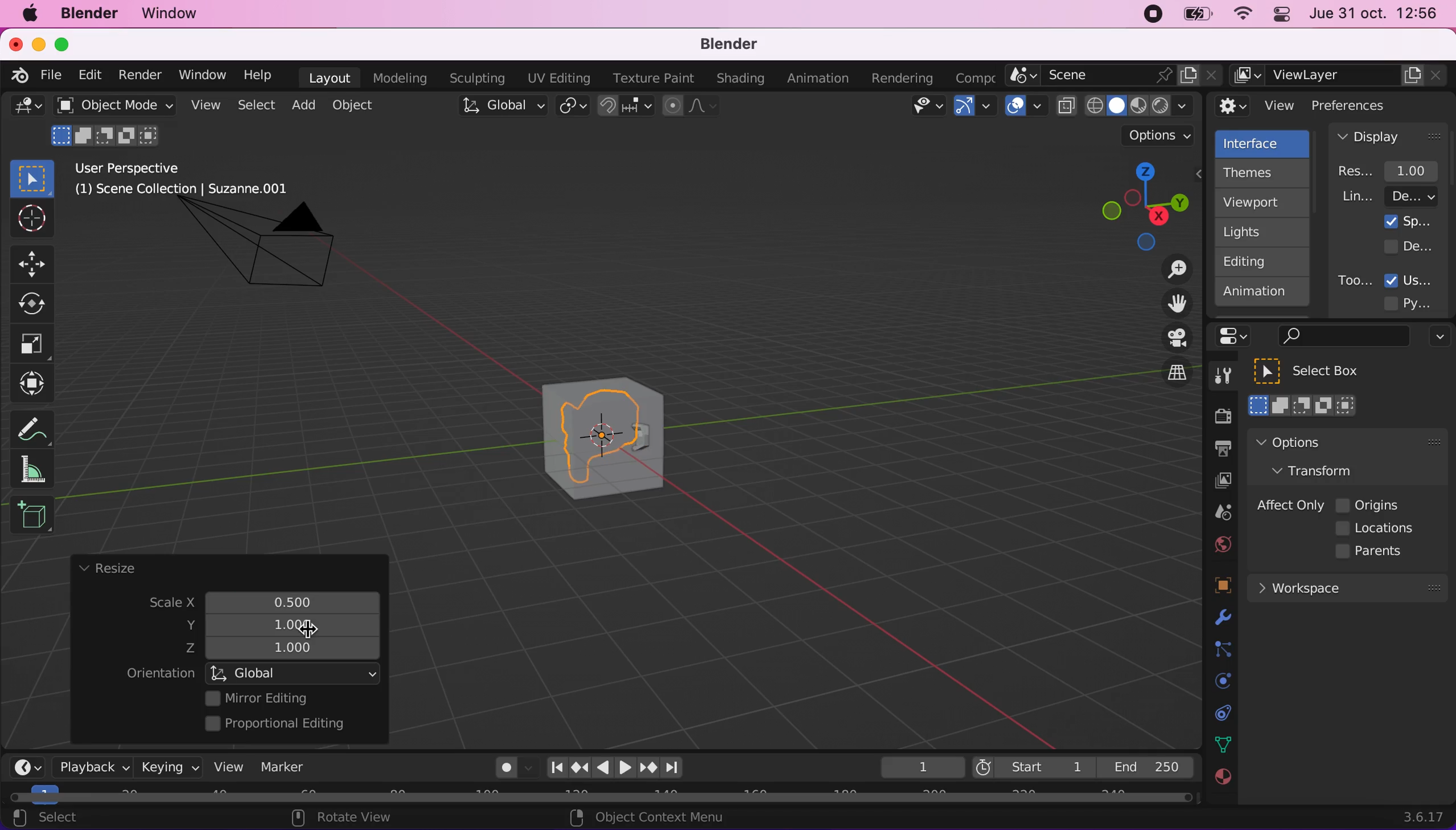 The image size is (1456, 830). Describe the element at coordinates (1026, 107) in the screenshot. I see `overlays` at that location.